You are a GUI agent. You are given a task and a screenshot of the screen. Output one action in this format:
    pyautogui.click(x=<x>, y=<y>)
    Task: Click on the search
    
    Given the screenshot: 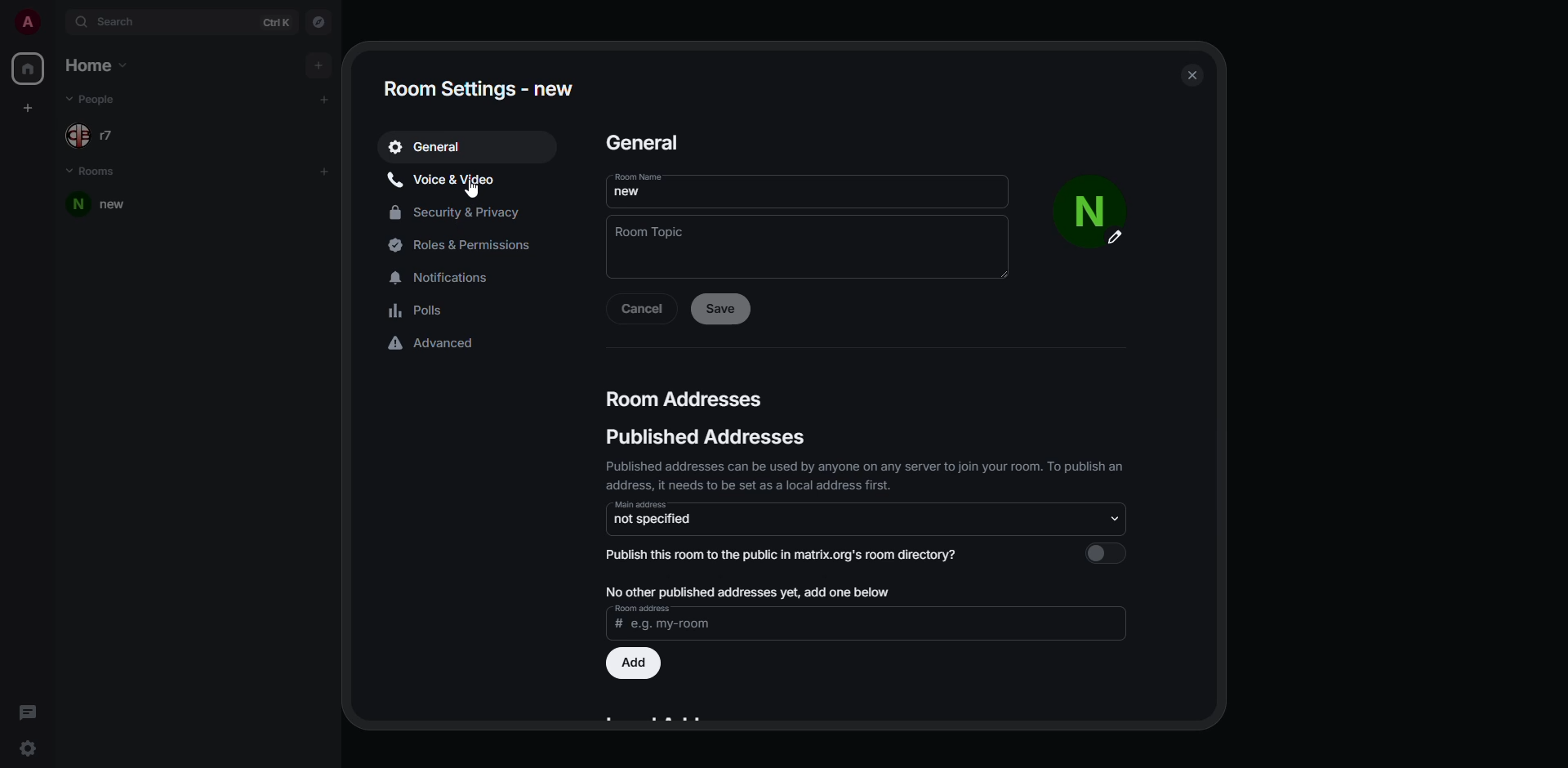 What is the action you would take?
    pyautogui.click(x=111, y=21)
    